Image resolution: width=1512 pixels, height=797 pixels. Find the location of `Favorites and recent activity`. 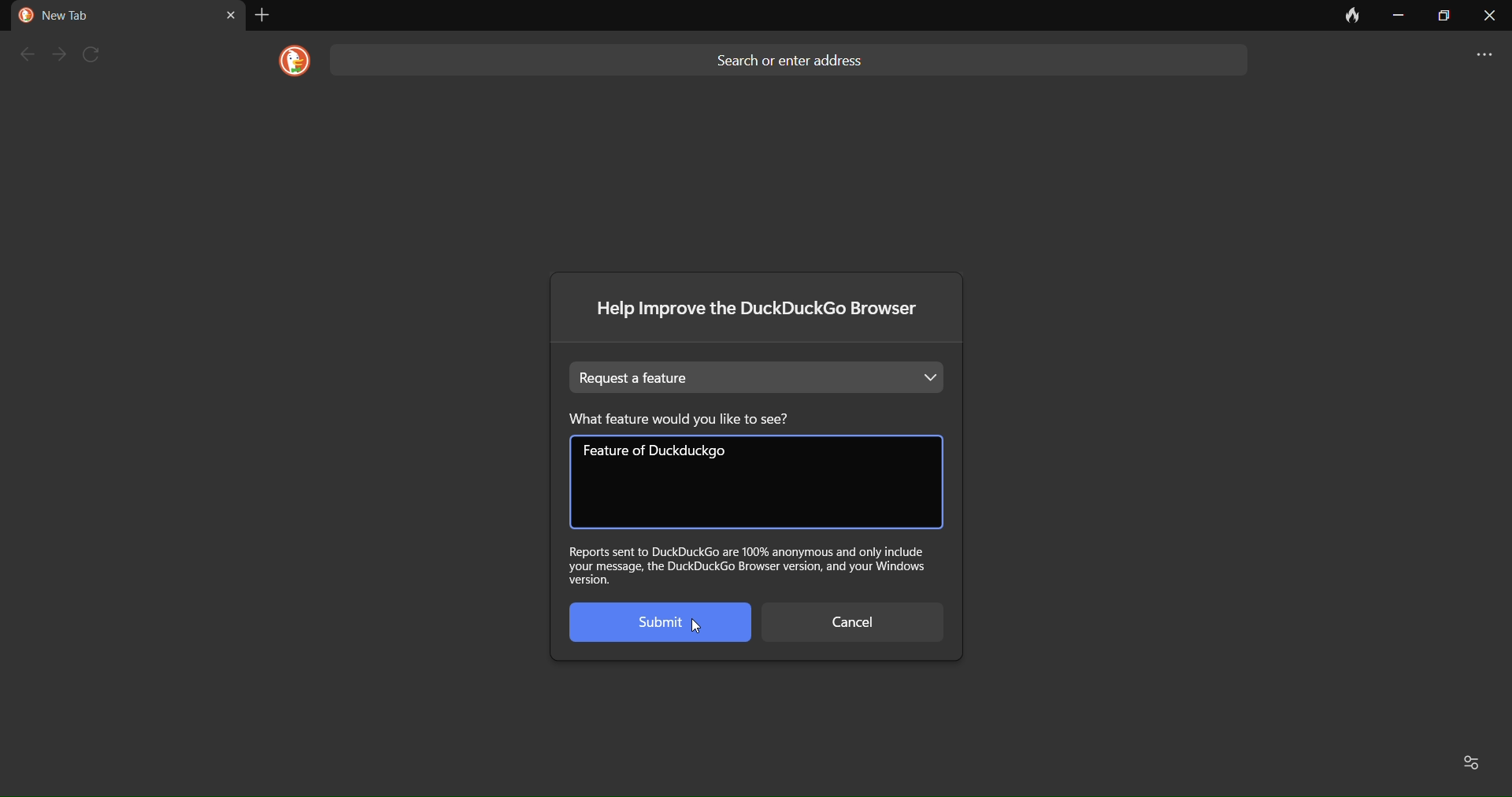

Favorites and recent activity is located at coordinates (1474, 761).